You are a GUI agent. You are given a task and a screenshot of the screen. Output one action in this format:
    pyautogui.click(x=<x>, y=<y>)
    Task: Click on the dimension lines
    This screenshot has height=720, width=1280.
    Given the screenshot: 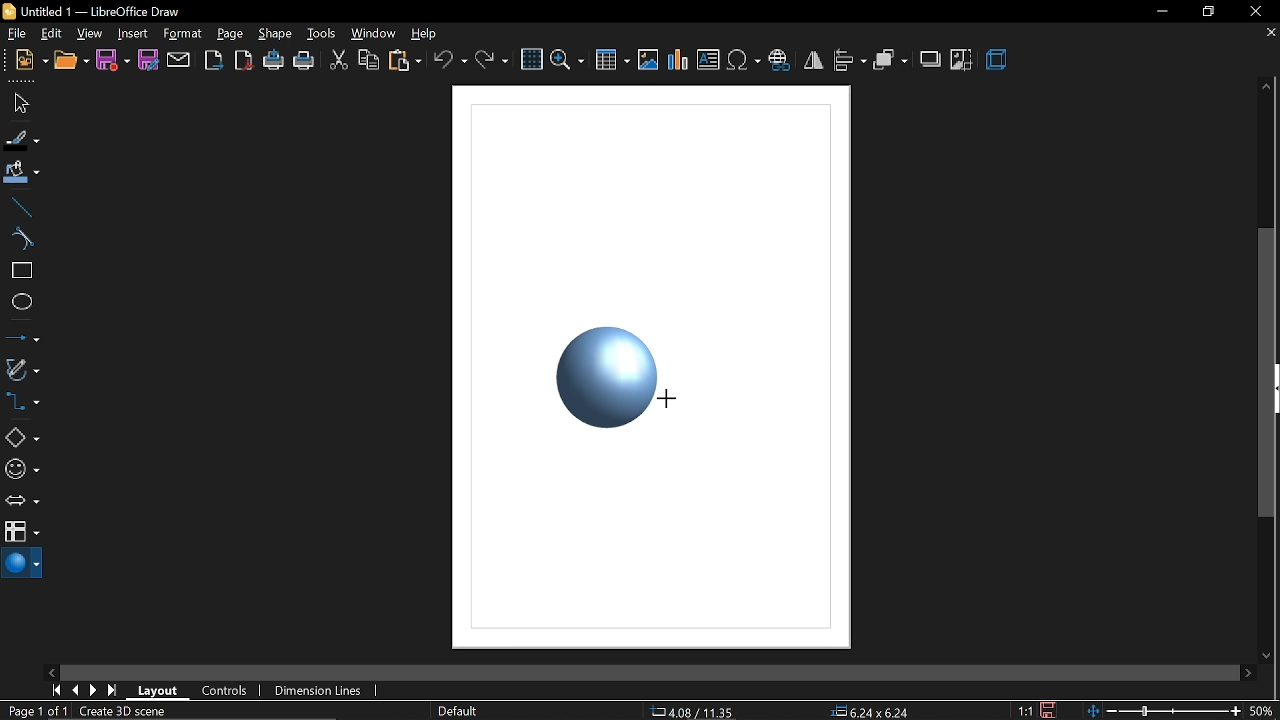 What is the action you would take?
    pyautogui.click(x=325, y=692)
    